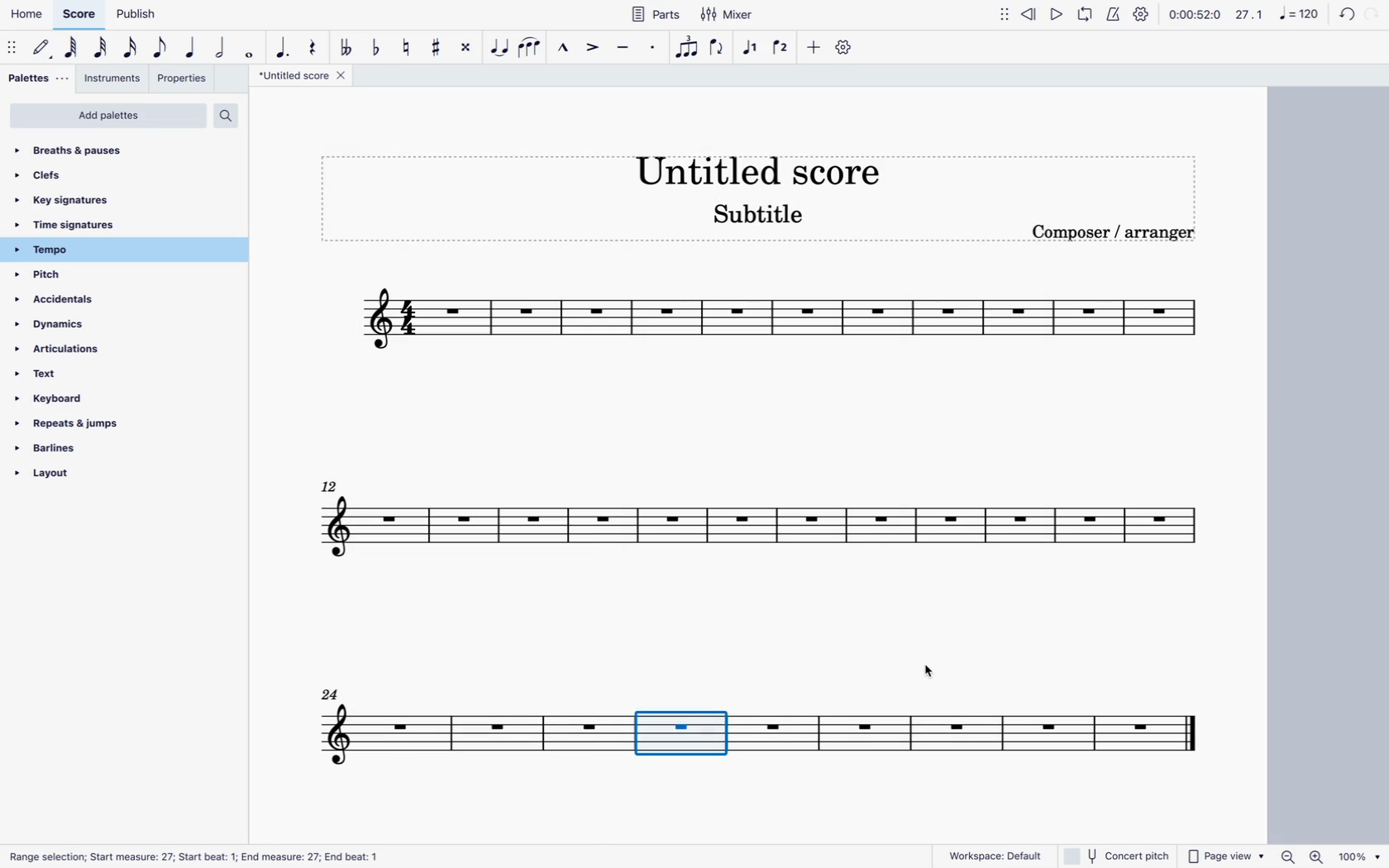 This screenshot has width=1389, height=868. Describe the element at coordinates (135, 16) in the screenshot. I see `publish` at that location.